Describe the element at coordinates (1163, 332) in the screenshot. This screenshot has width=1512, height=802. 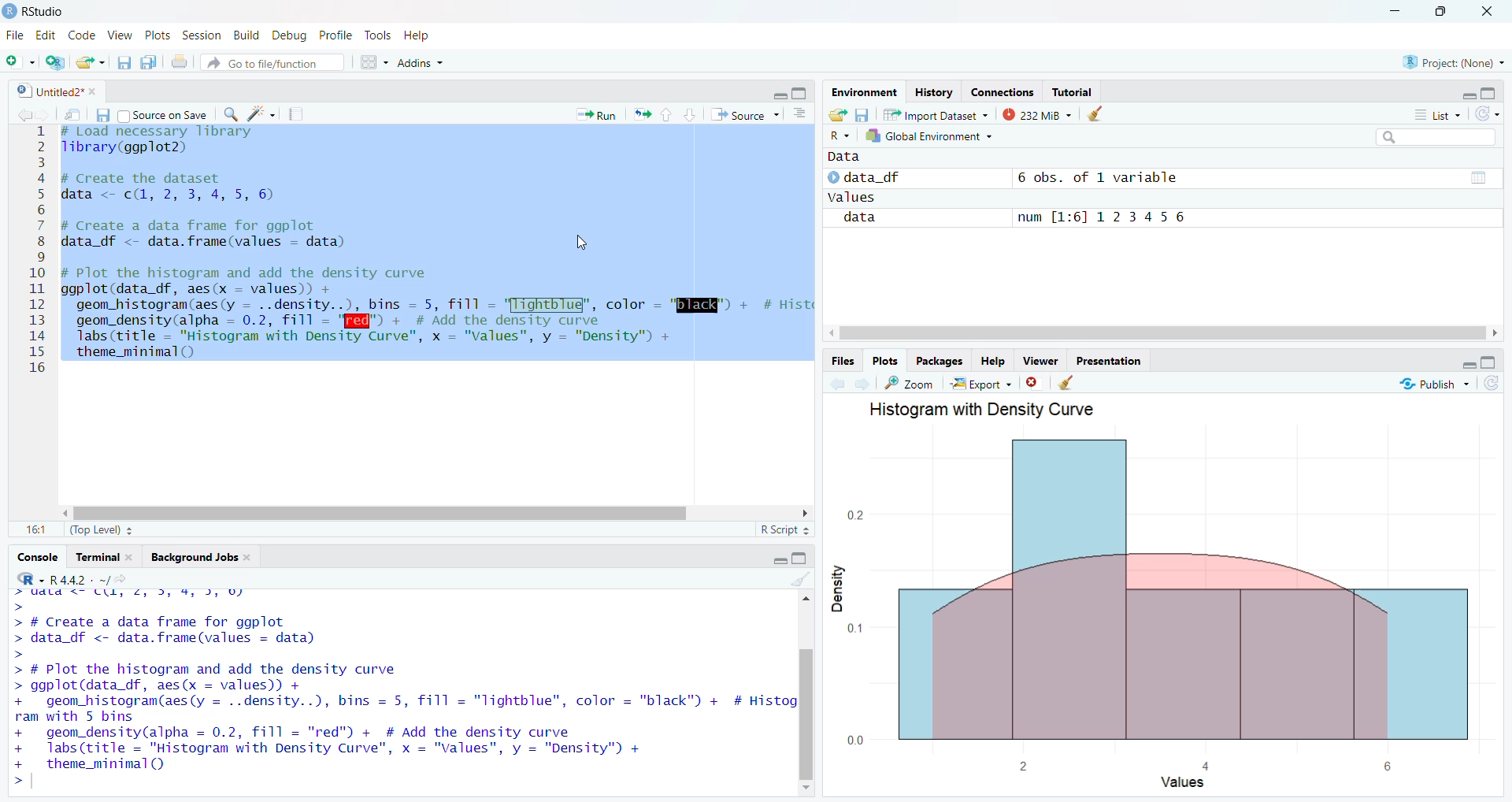
I see `horizontal scroll bar` at that location.